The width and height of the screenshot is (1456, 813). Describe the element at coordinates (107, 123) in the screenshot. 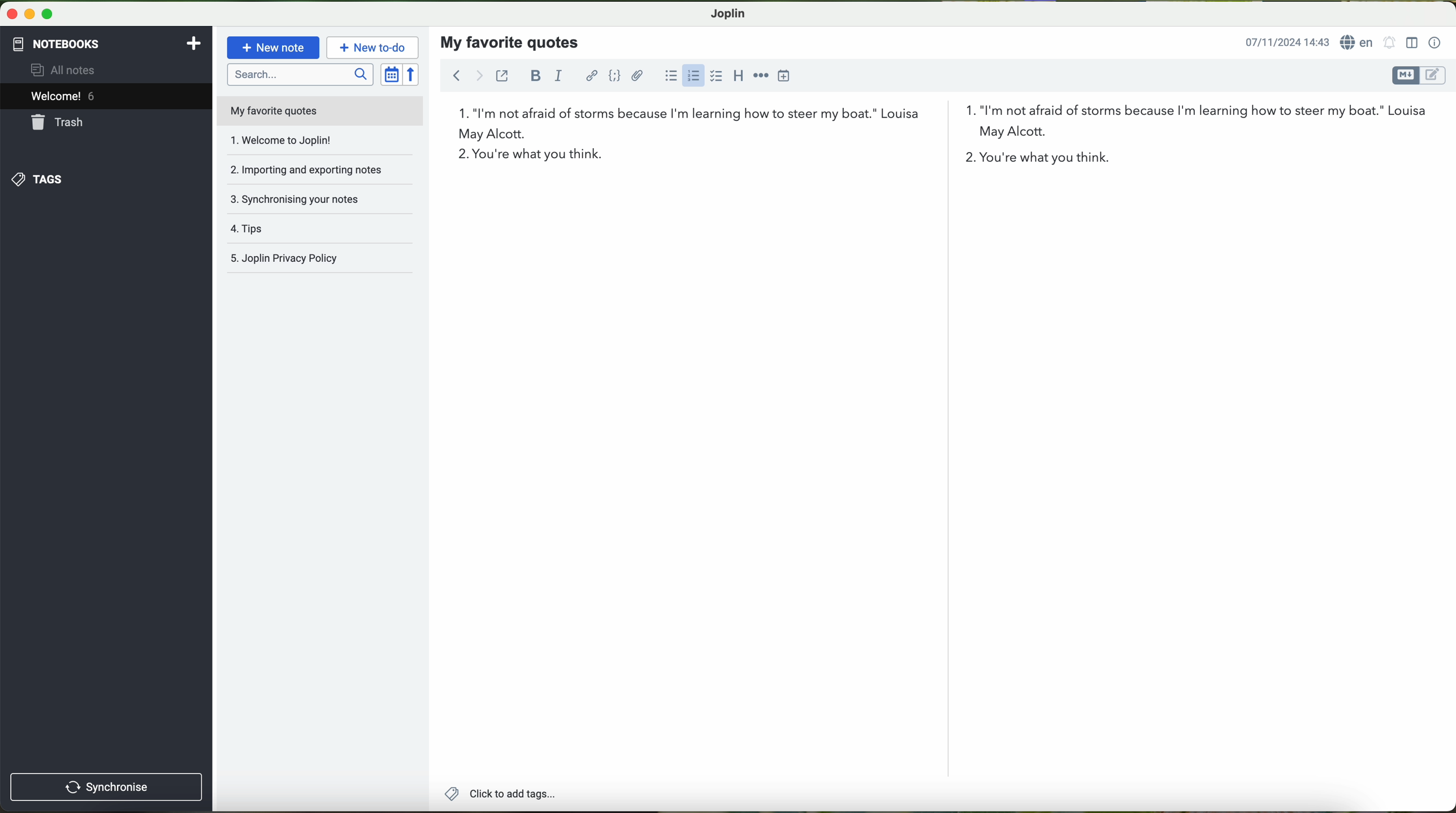

I see `trash` at that location.